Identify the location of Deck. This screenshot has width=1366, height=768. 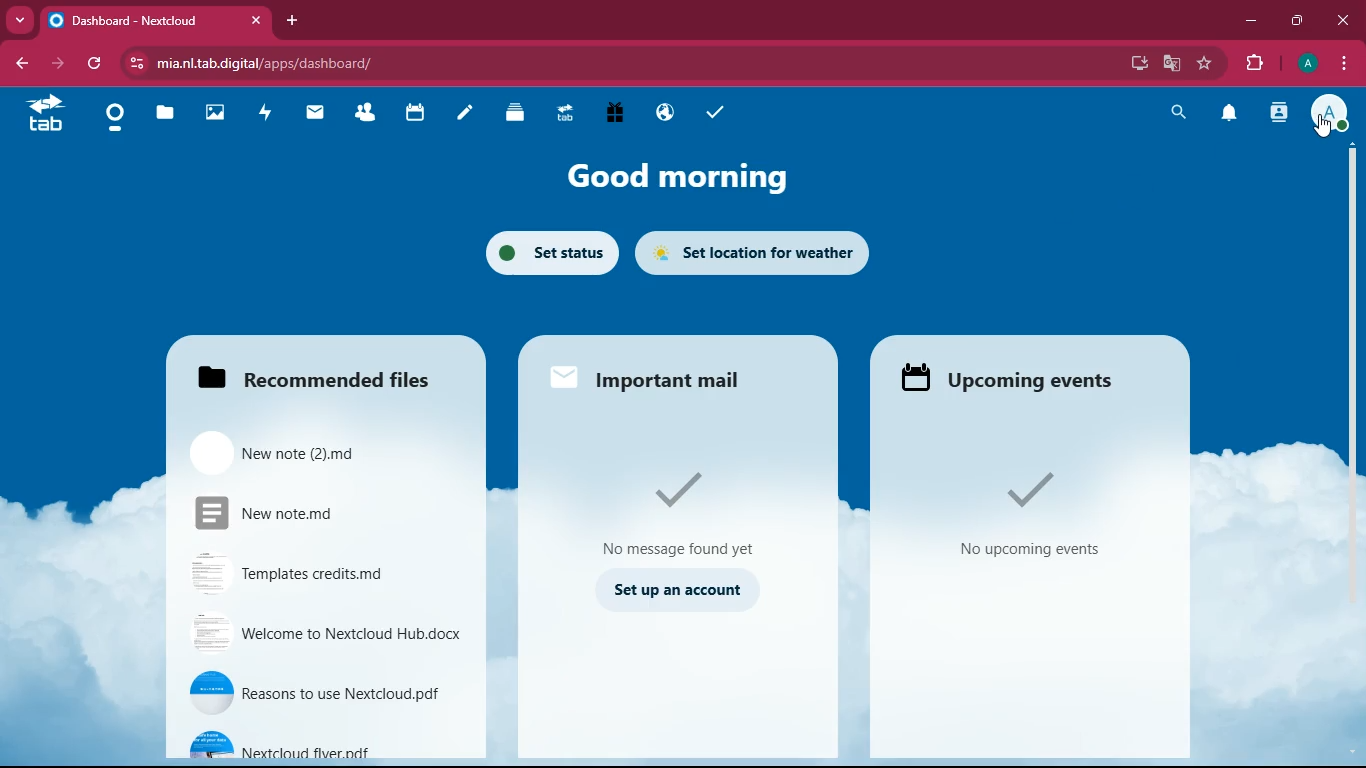
(517, 115).